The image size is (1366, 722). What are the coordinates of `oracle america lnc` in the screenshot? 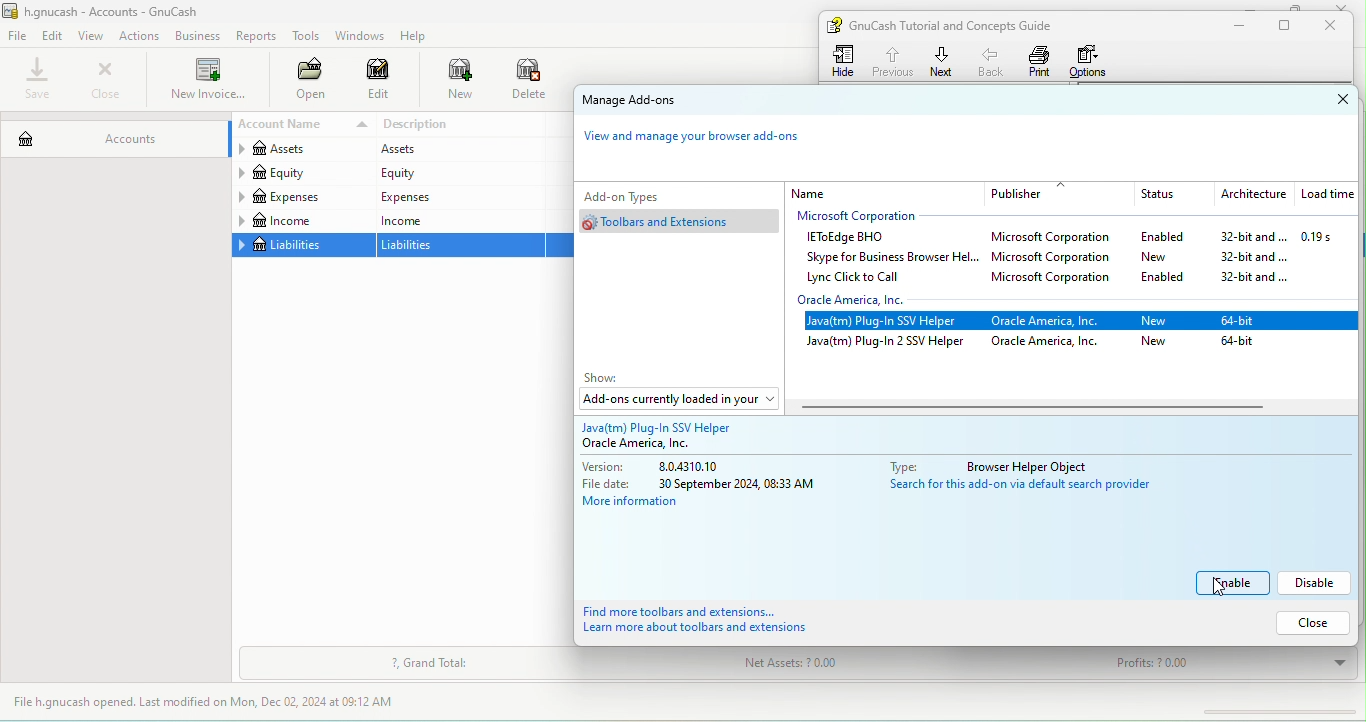 It's located at (868, 300).